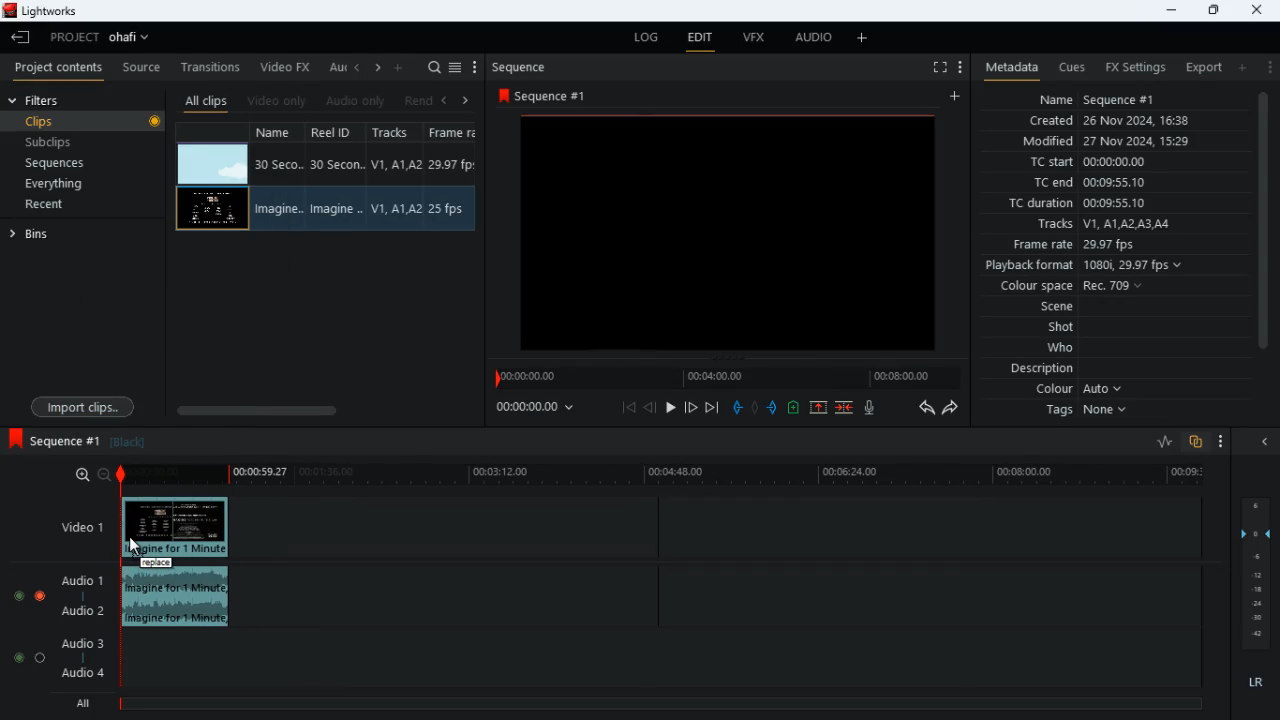 The image size is (1280, 720). What do you see at coordinates (818, 409) in the screenshot?
I see `up` at bounding box center [818, 409].